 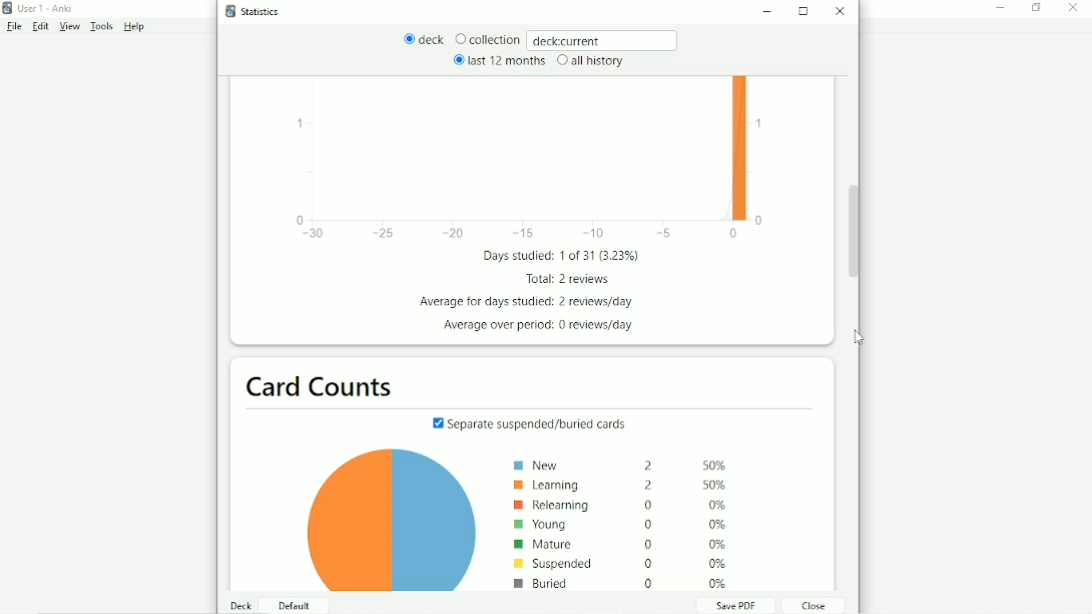 What do you see at coordinates (842, 11) in the screenshot?
I see `Close` at bounding box center [842, 11].